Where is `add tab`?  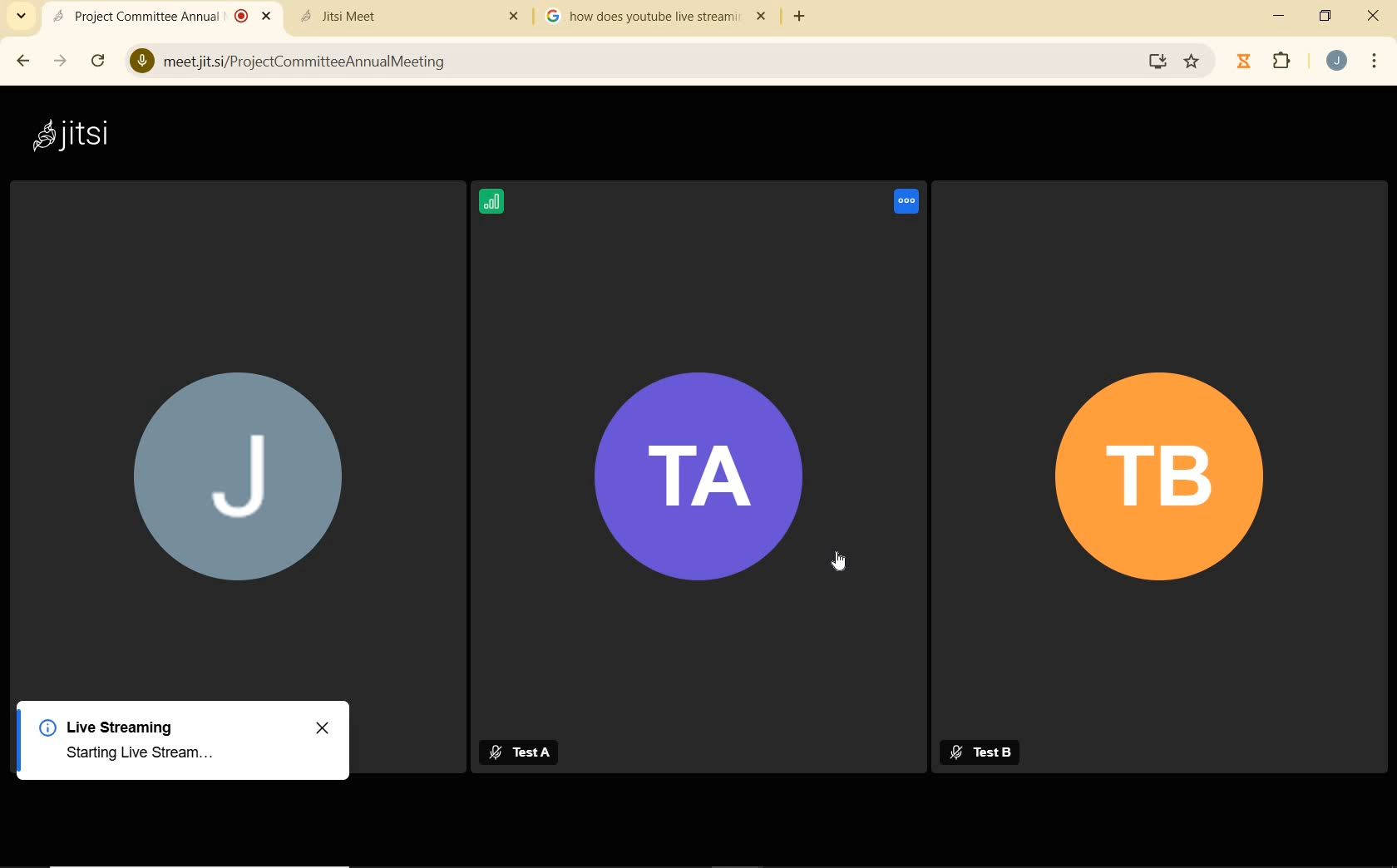 add tab is located at coordinates (805, 17).